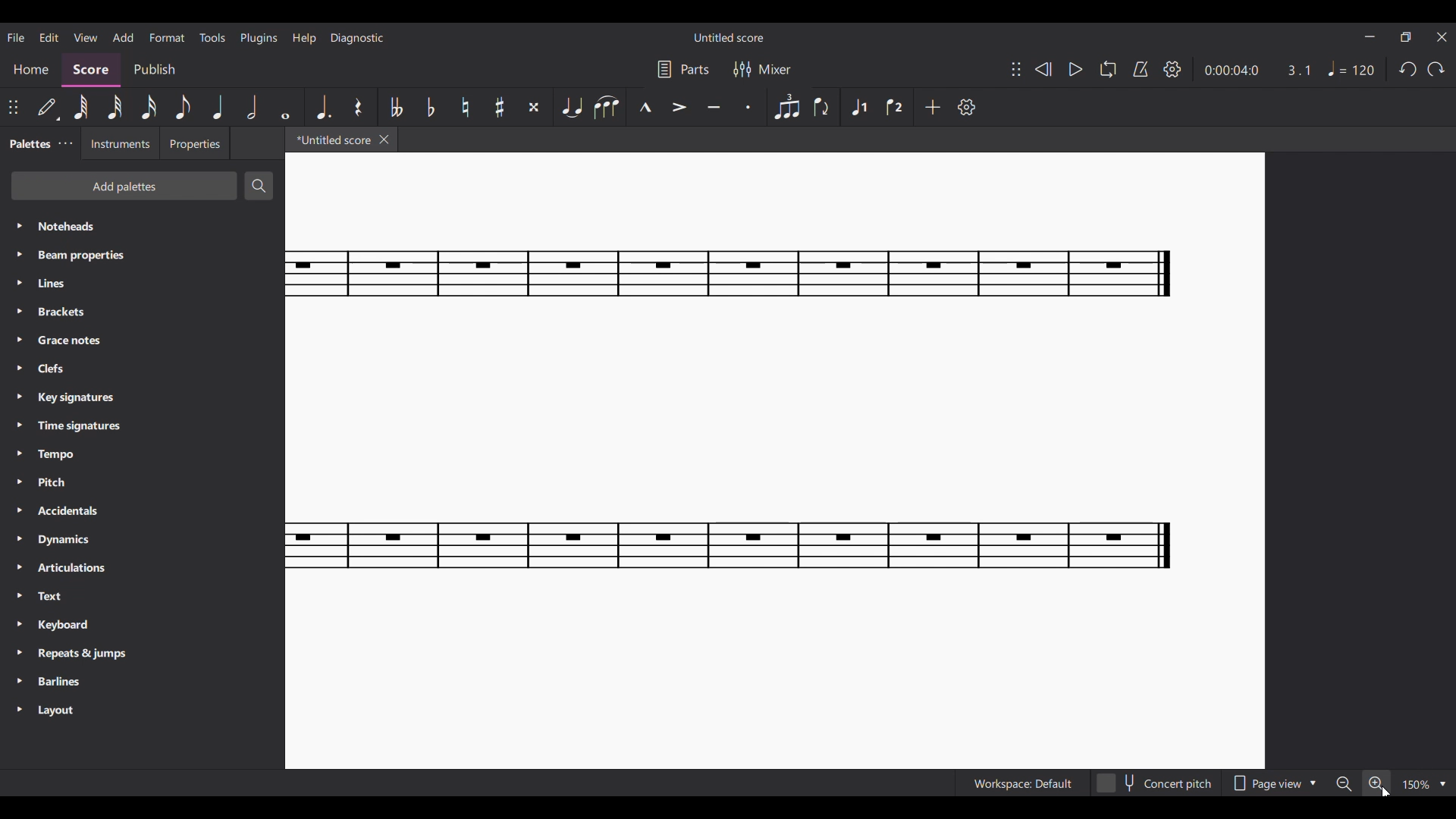 The height and width of the screenshot is (819, 1456). Describe the element at coordinates (1408, 68) in the screenshot. I see `Undo` at that location.